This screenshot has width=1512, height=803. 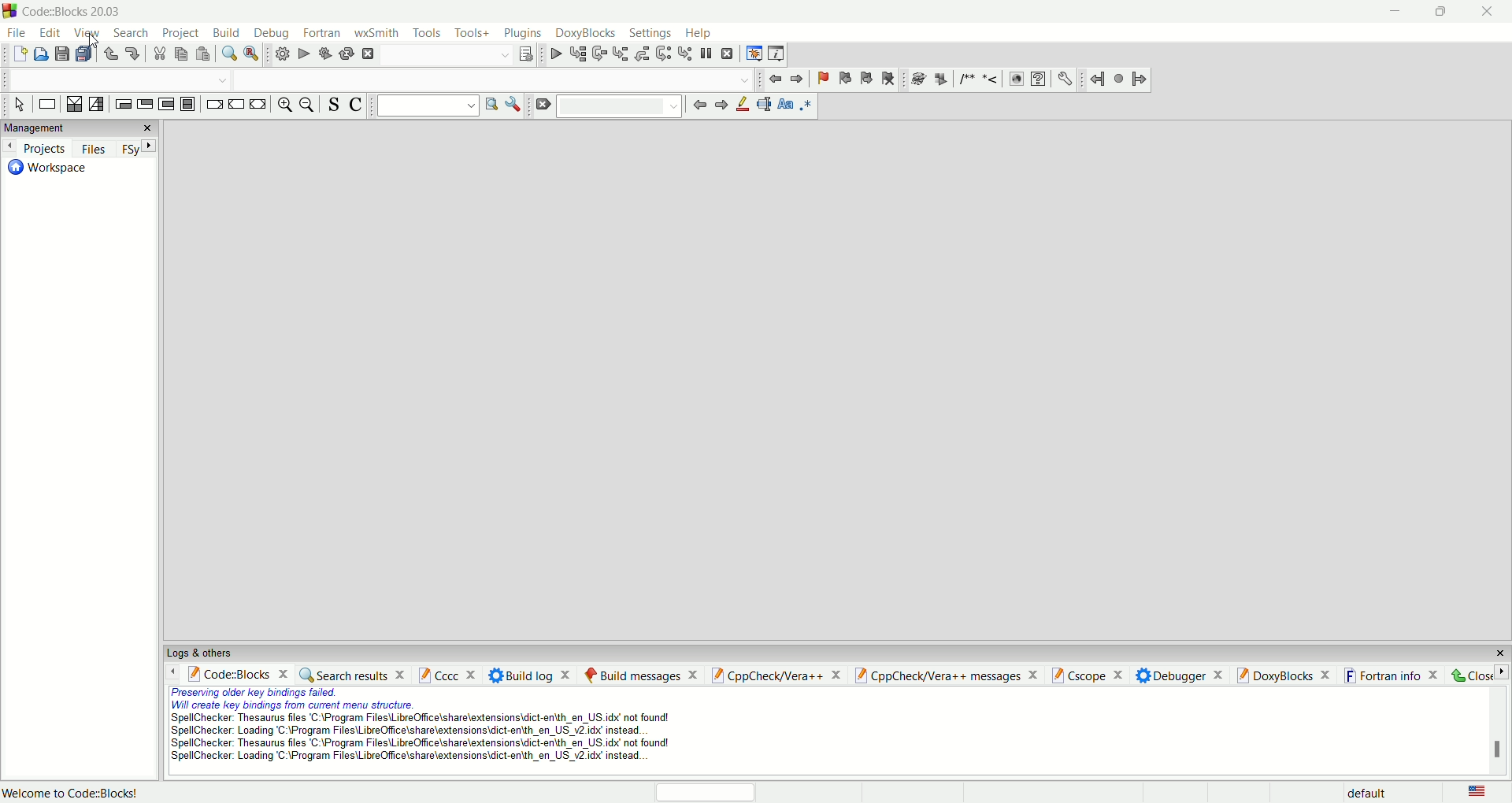 I want to click on jump back, so click(x=775, y=80).